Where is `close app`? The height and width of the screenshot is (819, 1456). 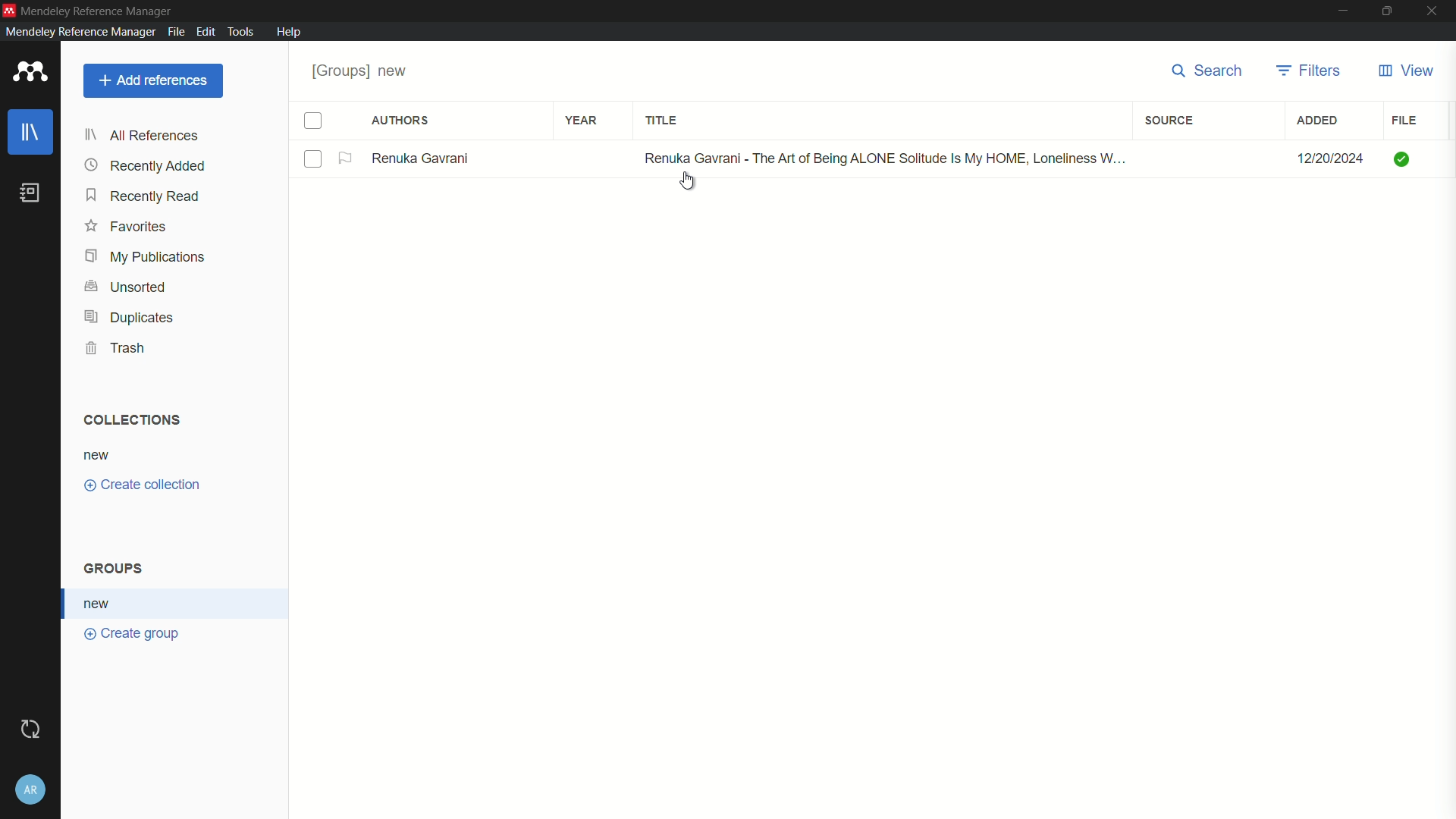 close app is located at coordinates (1435, 11).